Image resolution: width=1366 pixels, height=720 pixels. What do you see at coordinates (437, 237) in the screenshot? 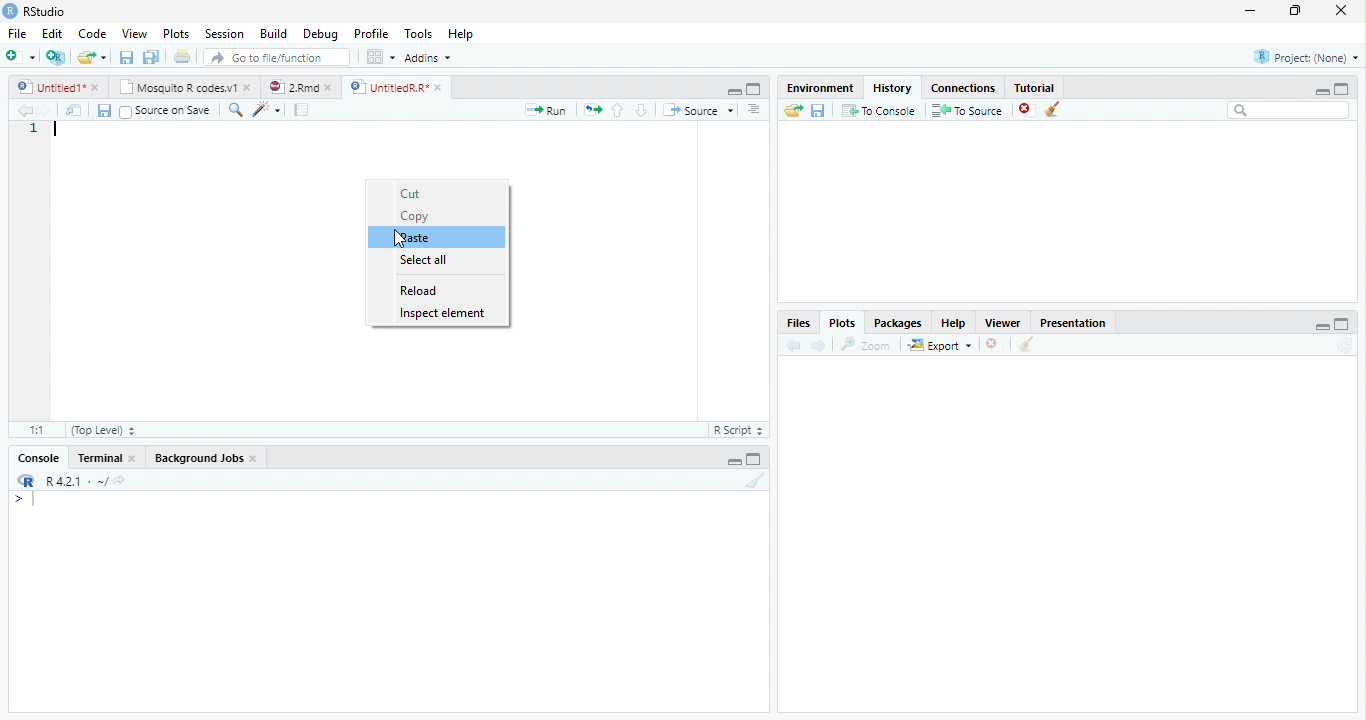
I see `Paste` at bounding box center [437, 237].